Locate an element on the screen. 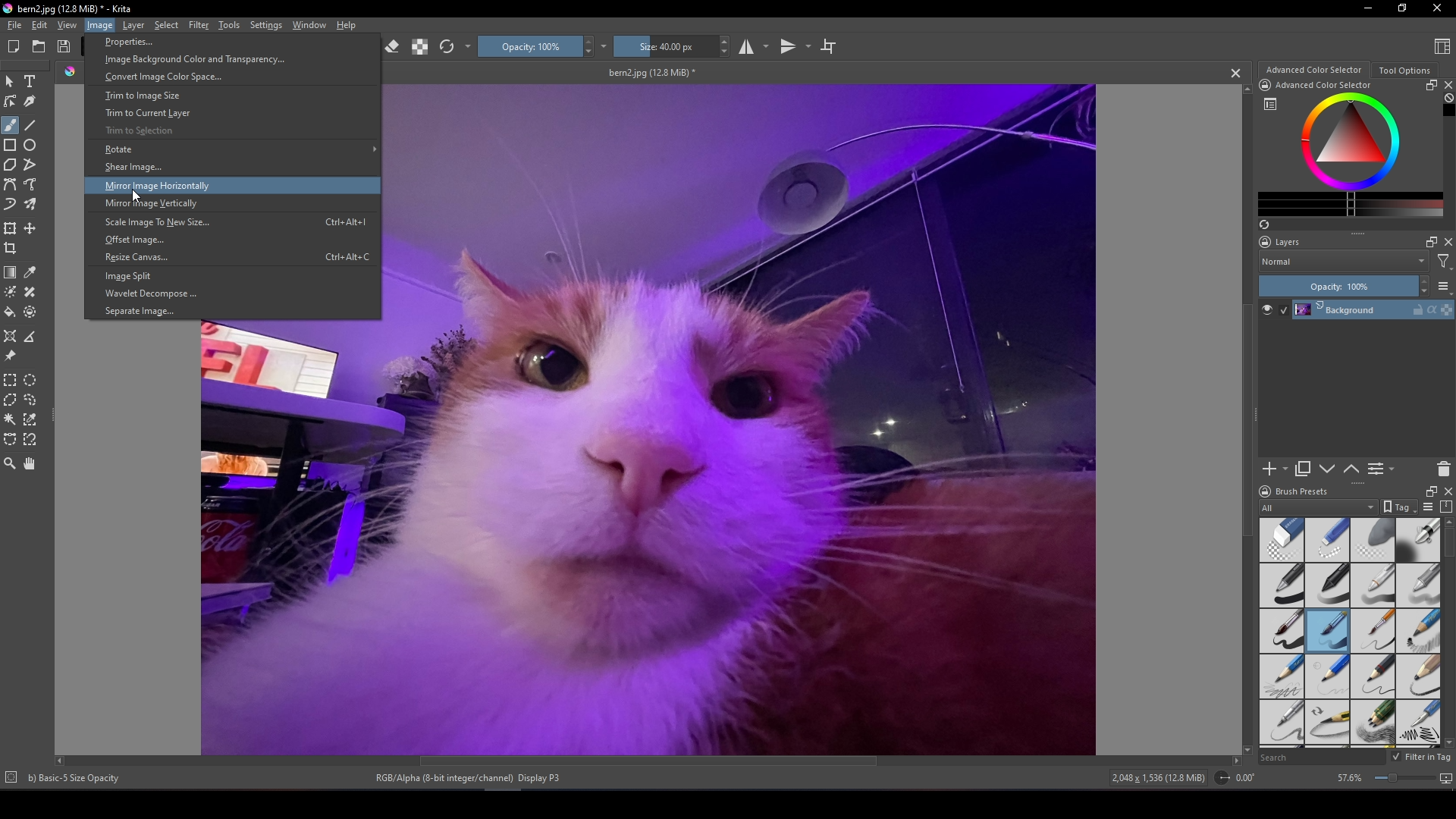 The image size is (1456, 819). View or change layer properties is located at coordinates (1382, 469).